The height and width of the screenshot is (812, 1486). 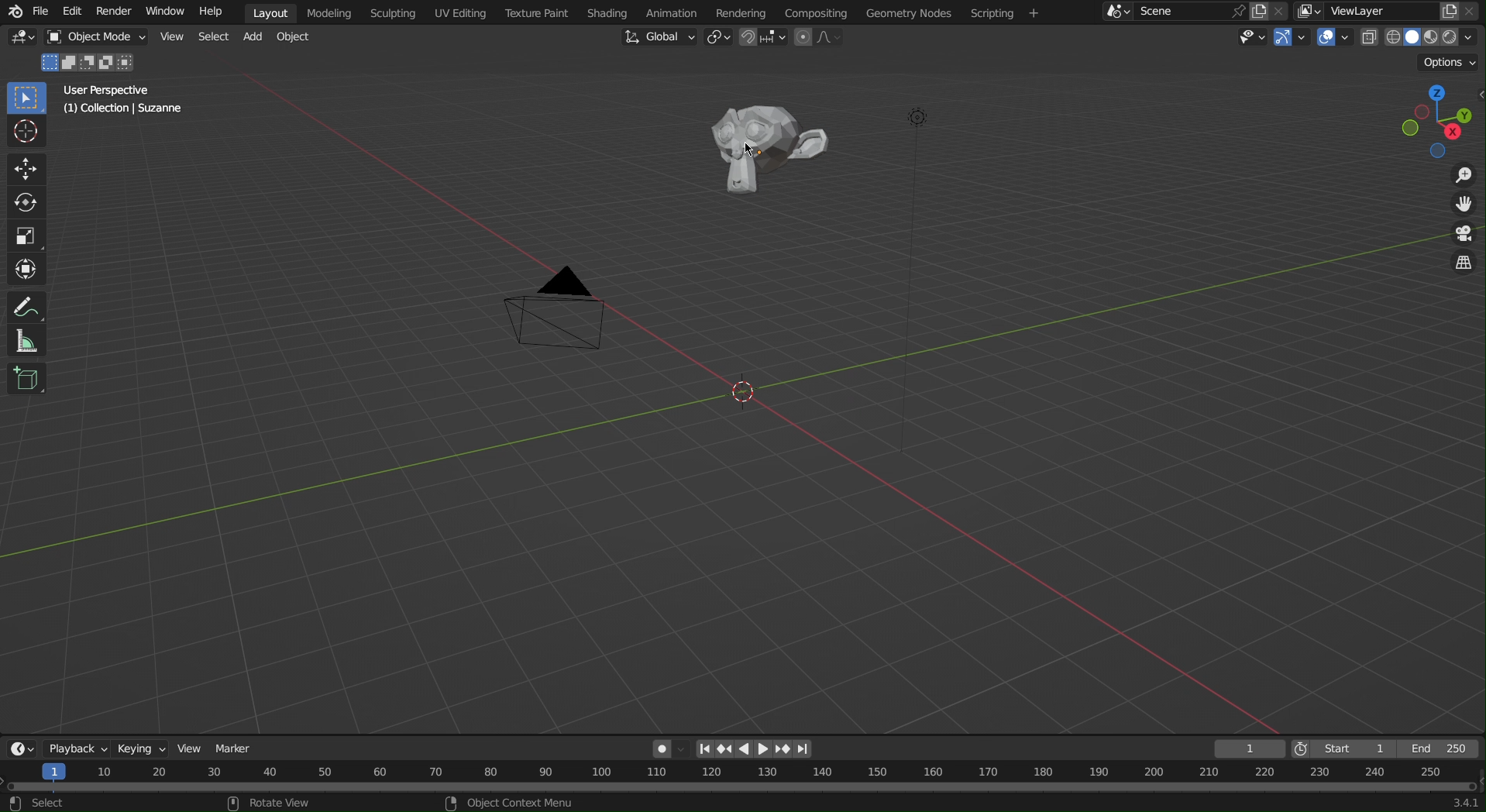 I want to click on Move, so click(x=26, y=170).